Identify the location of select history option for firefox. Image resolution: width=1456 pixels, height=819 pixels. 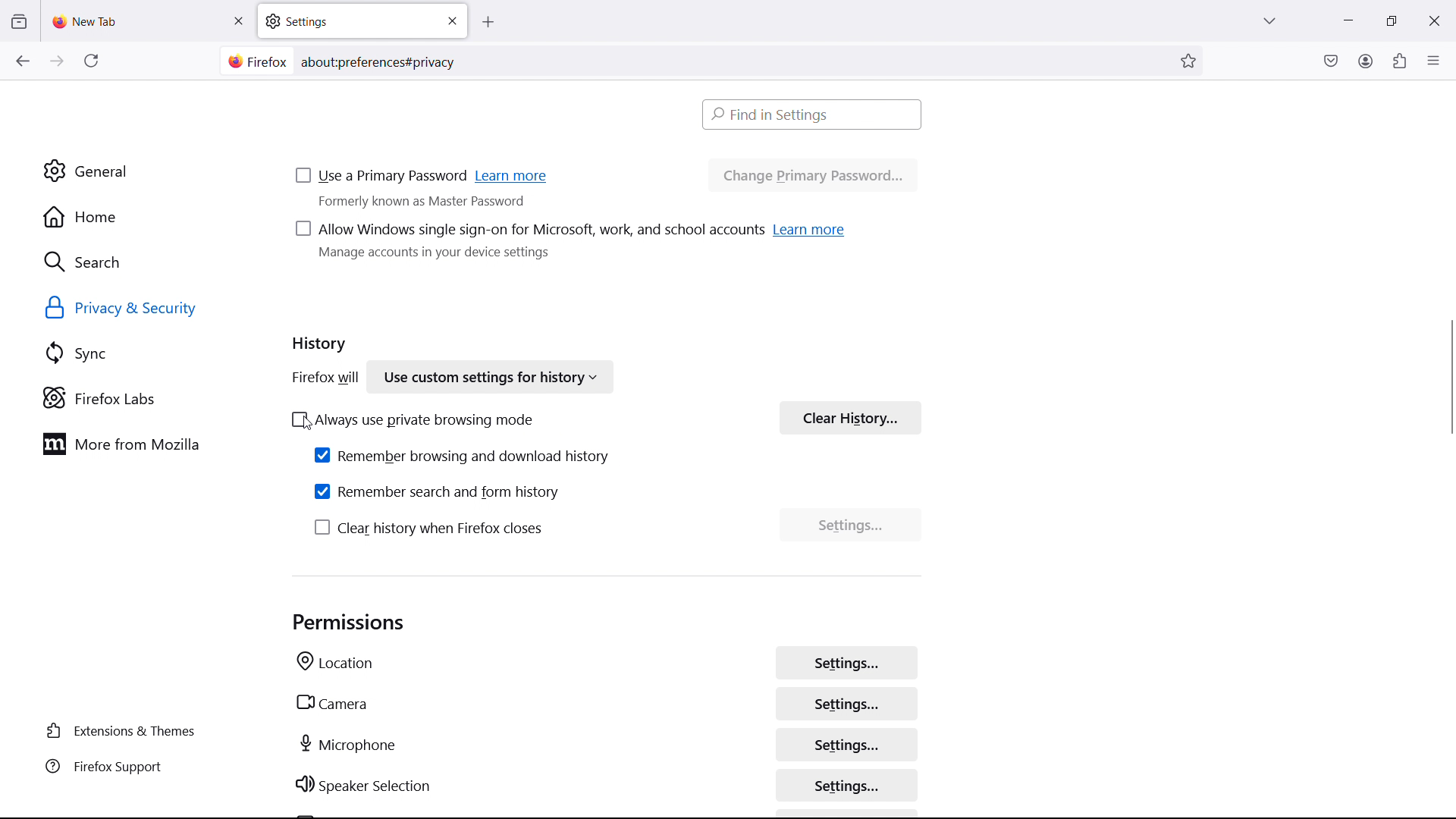
(488, 379).